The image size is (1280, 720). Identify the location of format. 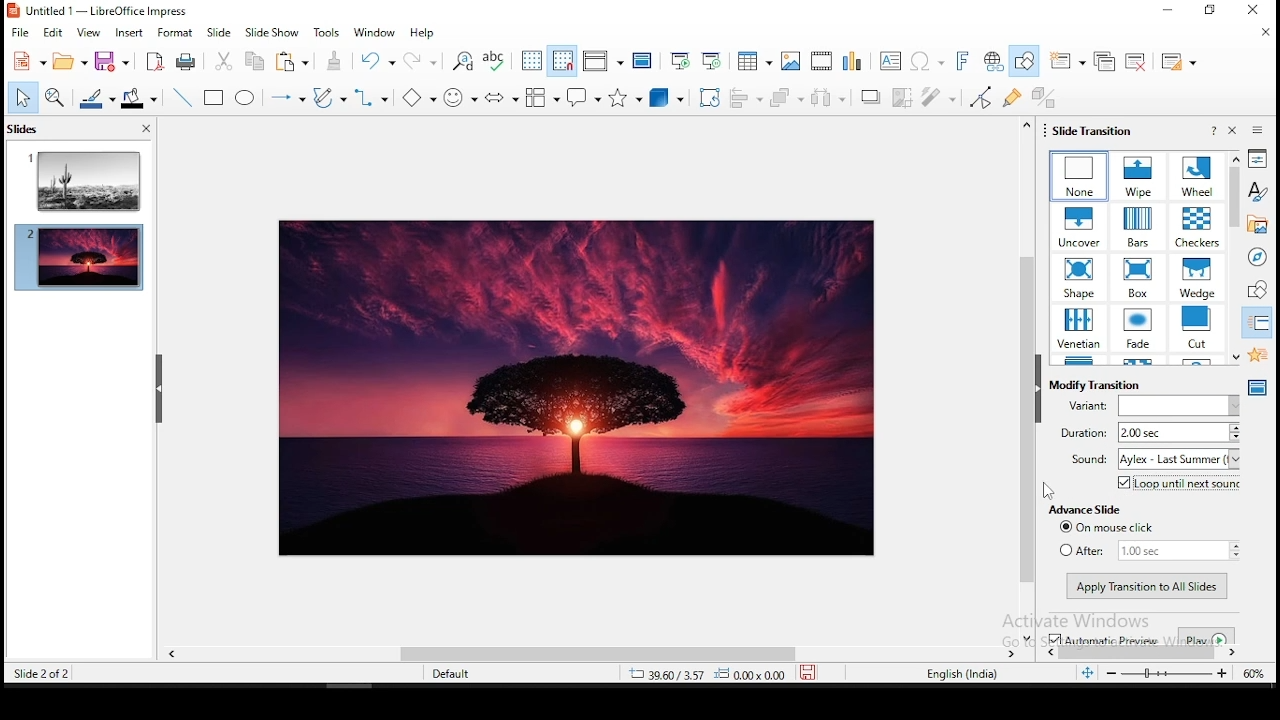
(175, 31).